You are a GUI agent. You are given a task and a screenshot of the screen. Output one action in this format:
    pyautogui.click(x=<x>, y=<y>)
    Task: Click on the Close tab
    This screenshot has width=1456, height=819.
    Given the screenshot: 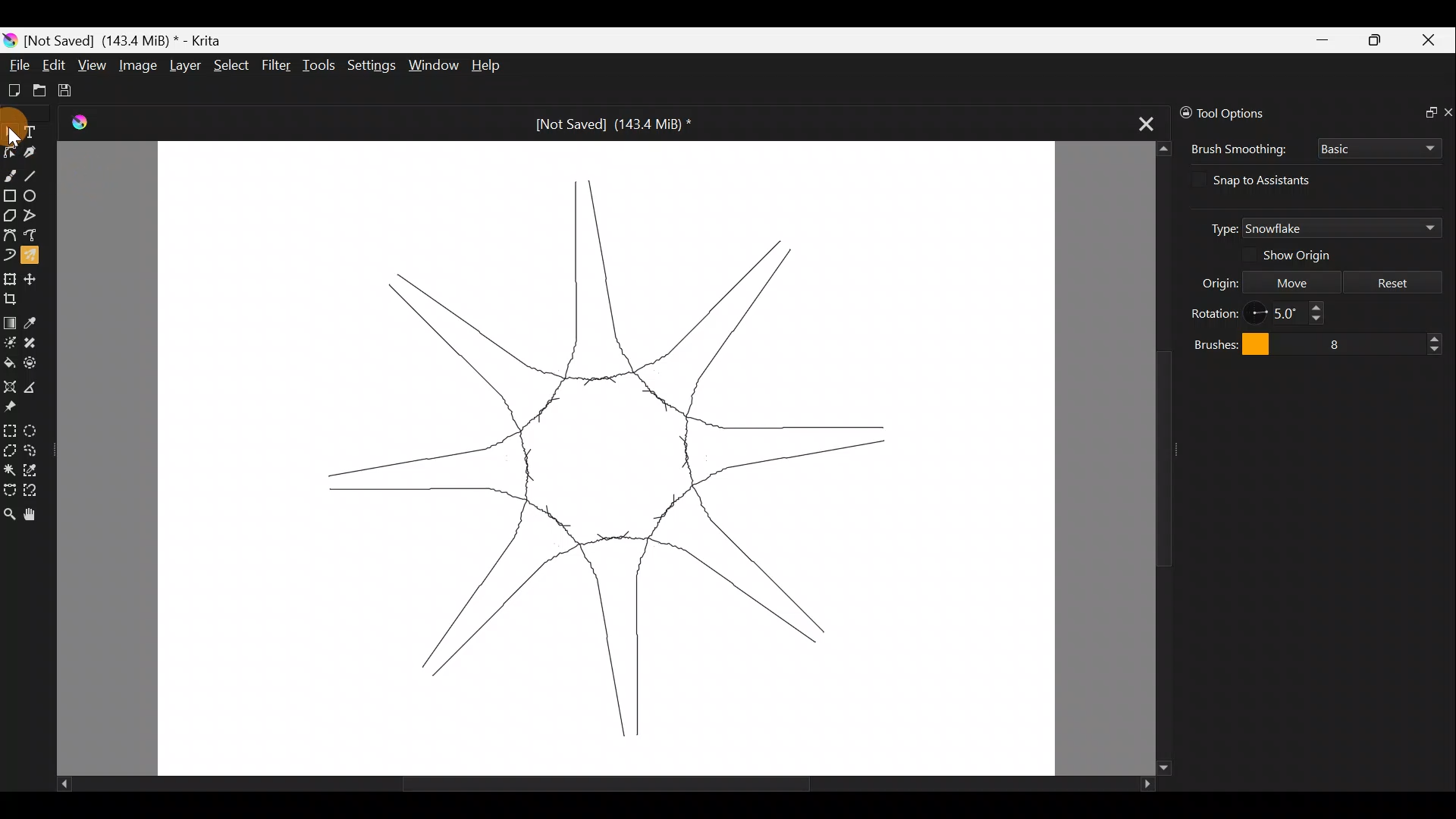 What is the action you would take?
    pyautogui.click(x=1147, y=119)
    